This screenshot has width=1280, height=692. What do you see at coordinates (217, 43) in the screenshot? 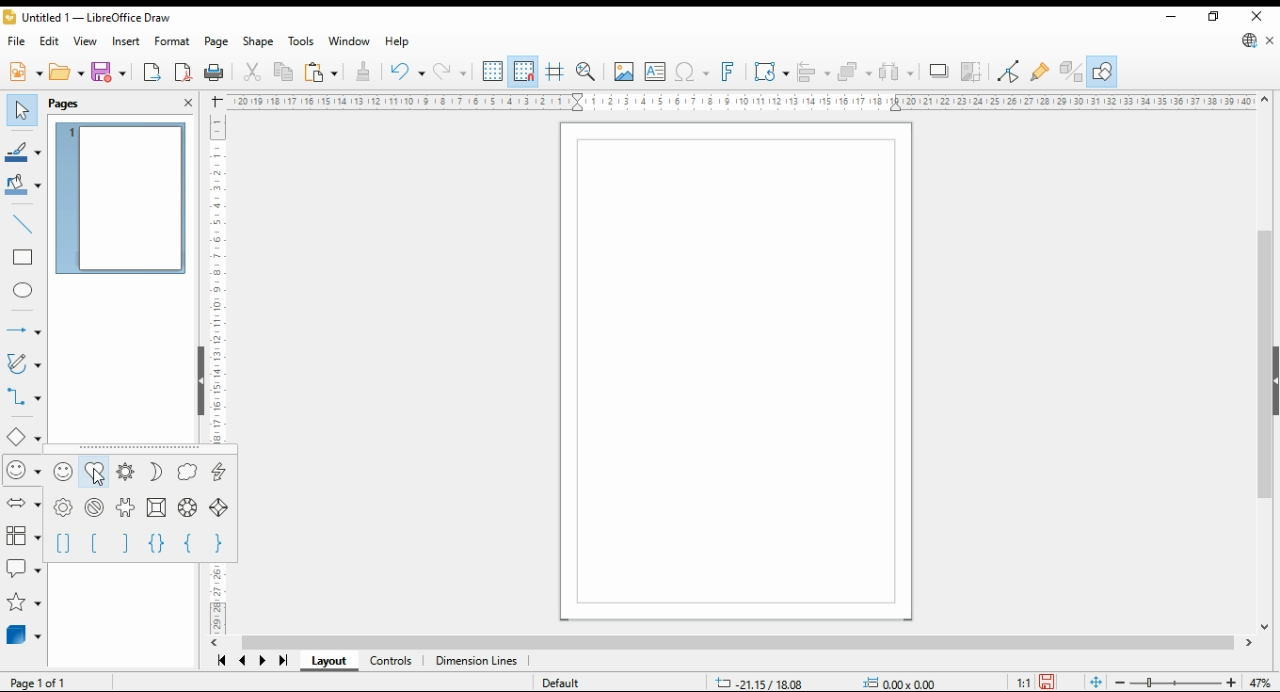
I see `page` at bounding box center [217, 43].